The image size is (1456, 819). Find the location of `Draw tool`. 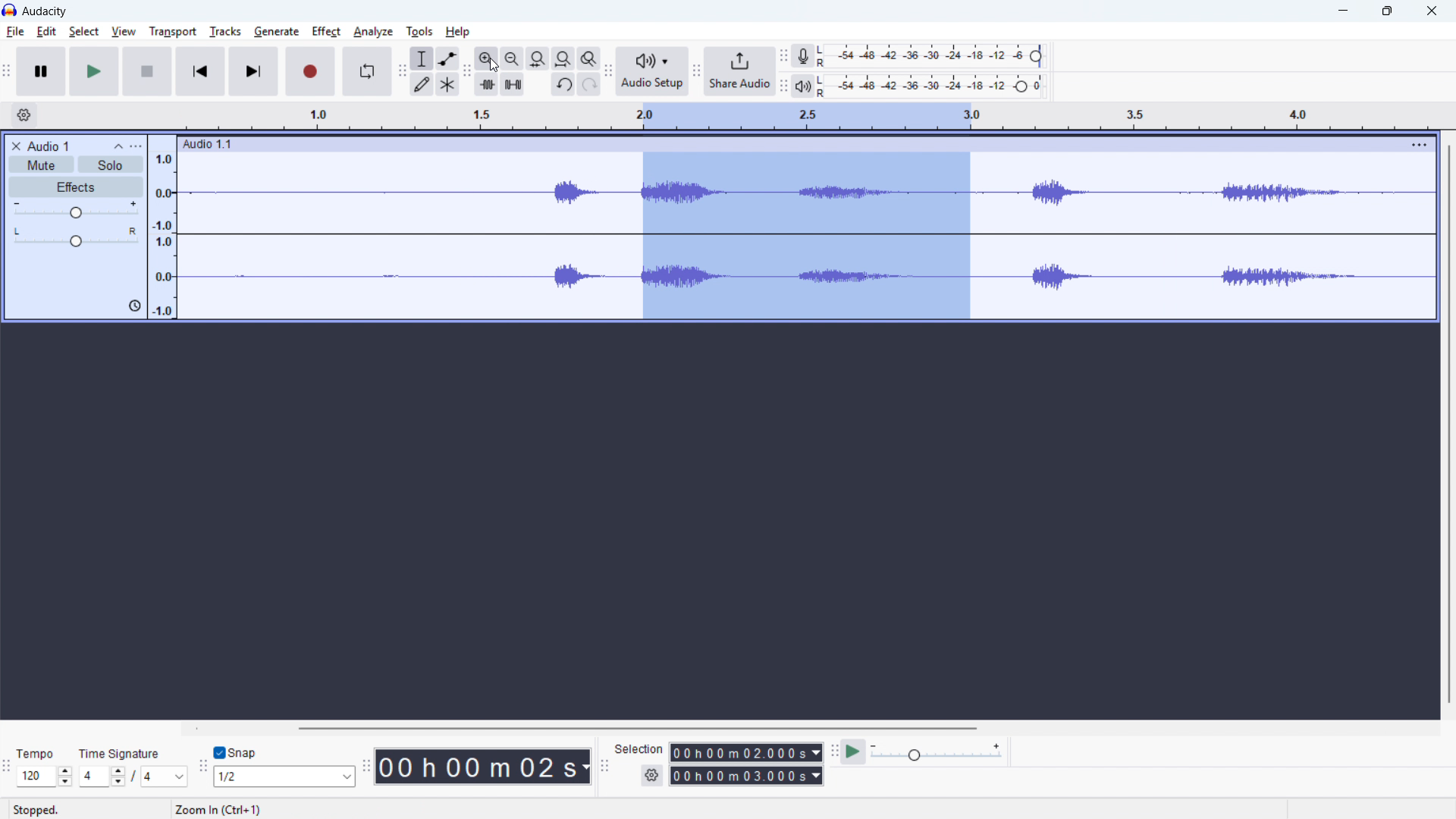

Draw tool is located at coordinates (422, 83).